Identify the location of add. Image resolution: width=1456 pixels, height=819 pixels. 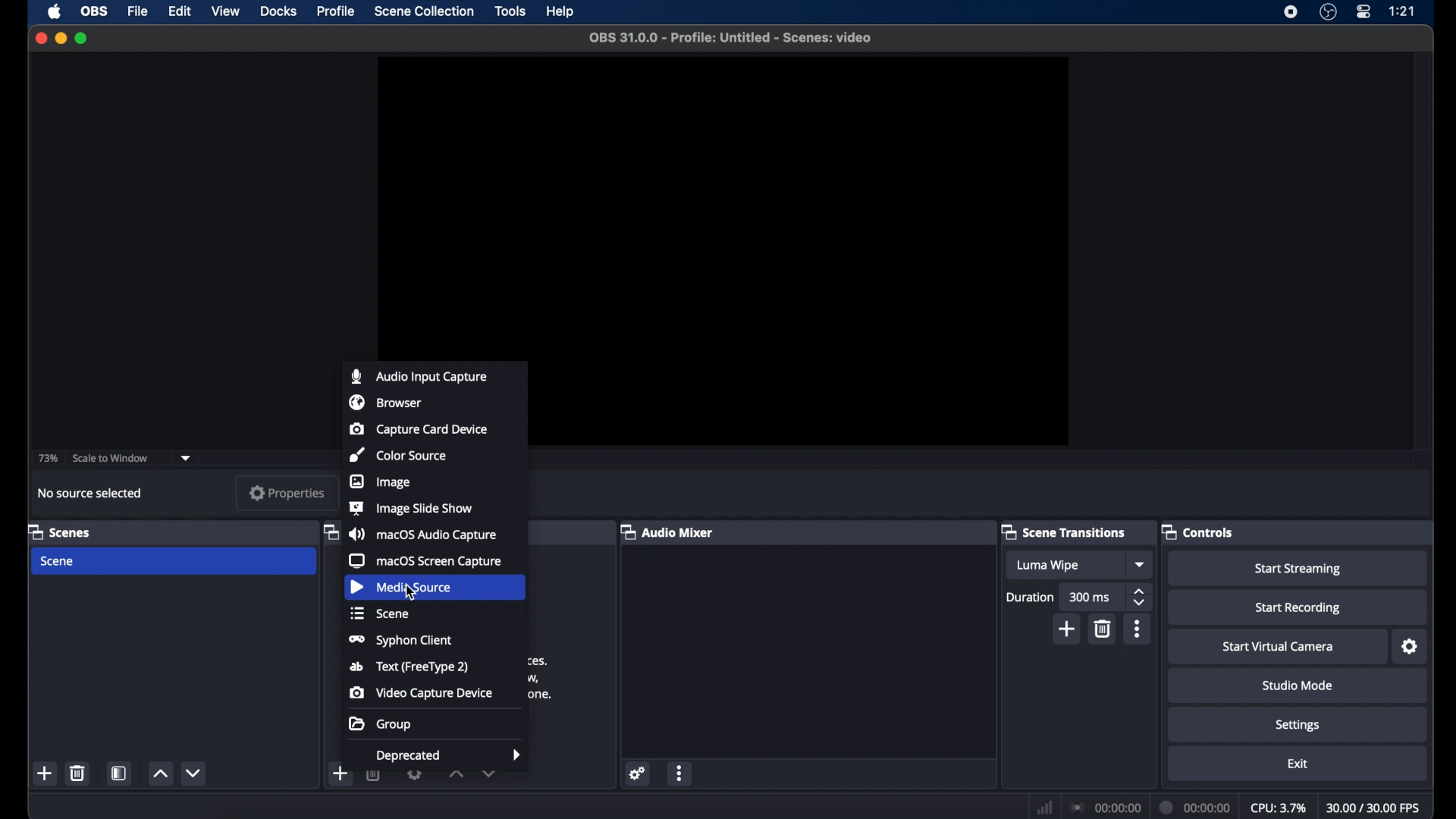
(1068, 629).